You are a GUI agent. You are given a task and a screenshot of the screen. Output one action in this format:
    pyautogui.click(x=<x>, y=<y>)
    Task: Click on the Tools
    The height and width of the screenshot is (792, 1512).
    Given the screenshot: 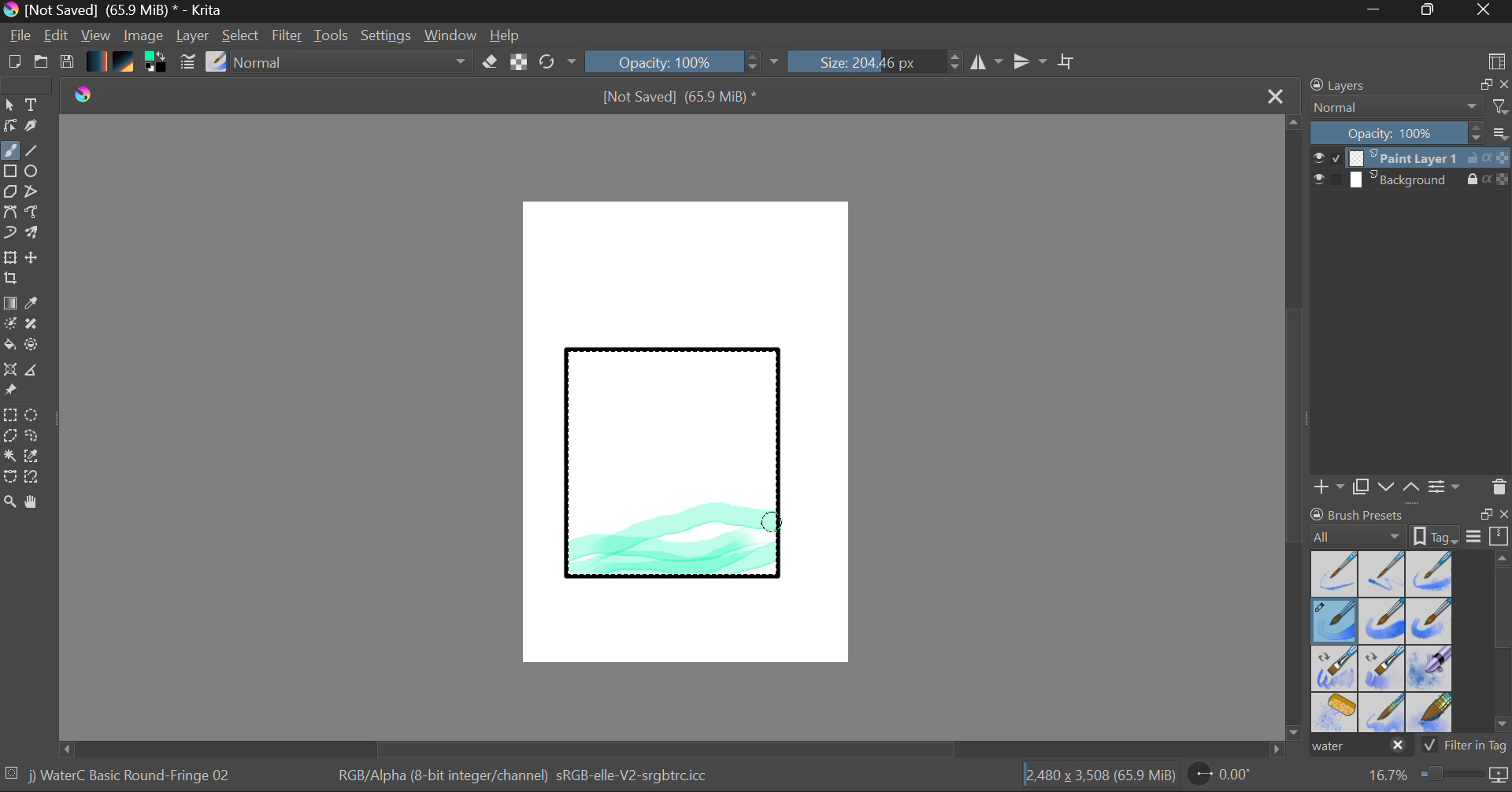 What is the action you would take?
    pyautogui.click(x=332, y=36)
    